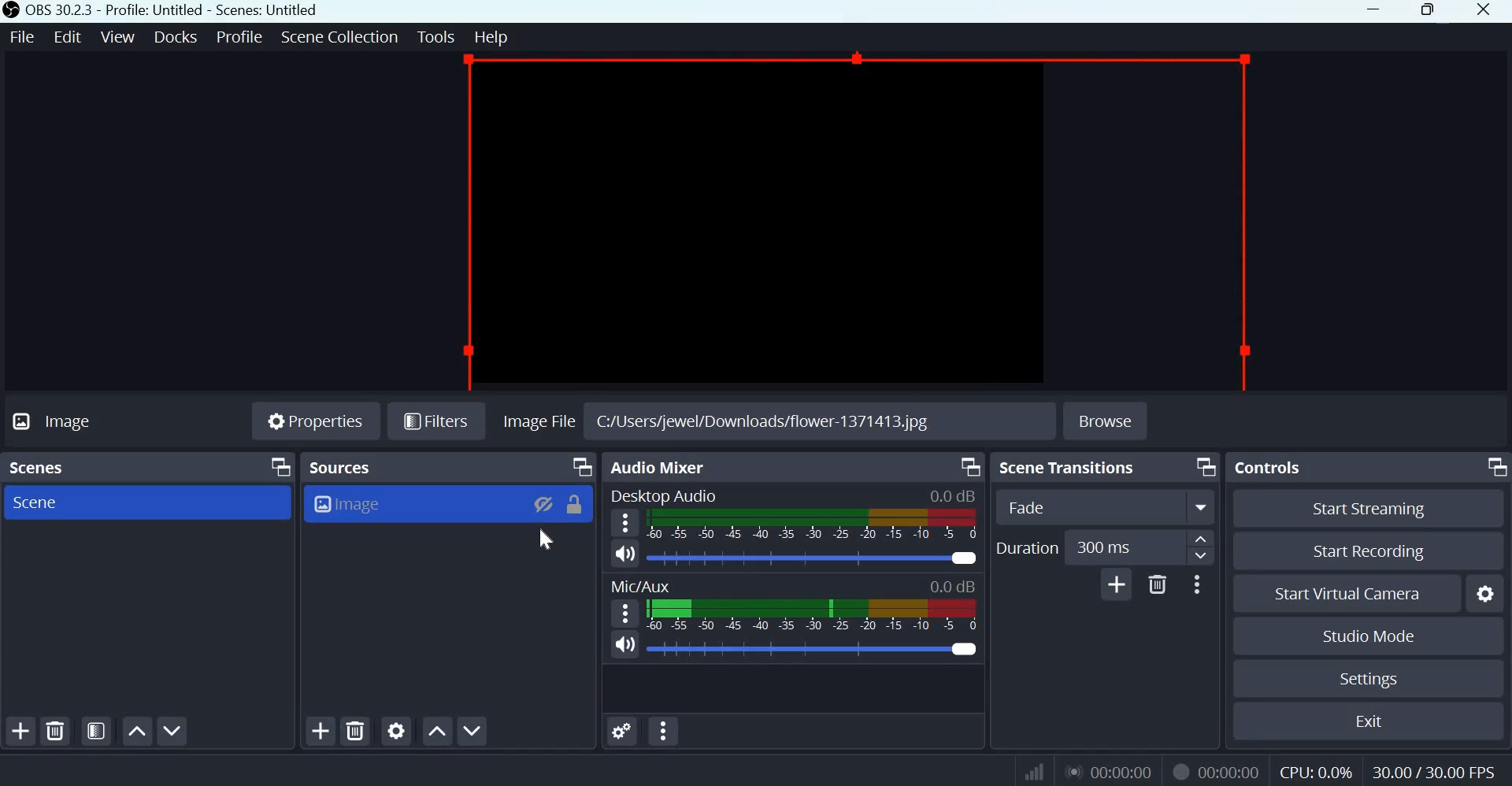 The image size is (1512, 786). What do you see at coordinates (1371, 11) in the screenshot?
I see `Minimize` at bounding box center [1371, 11].